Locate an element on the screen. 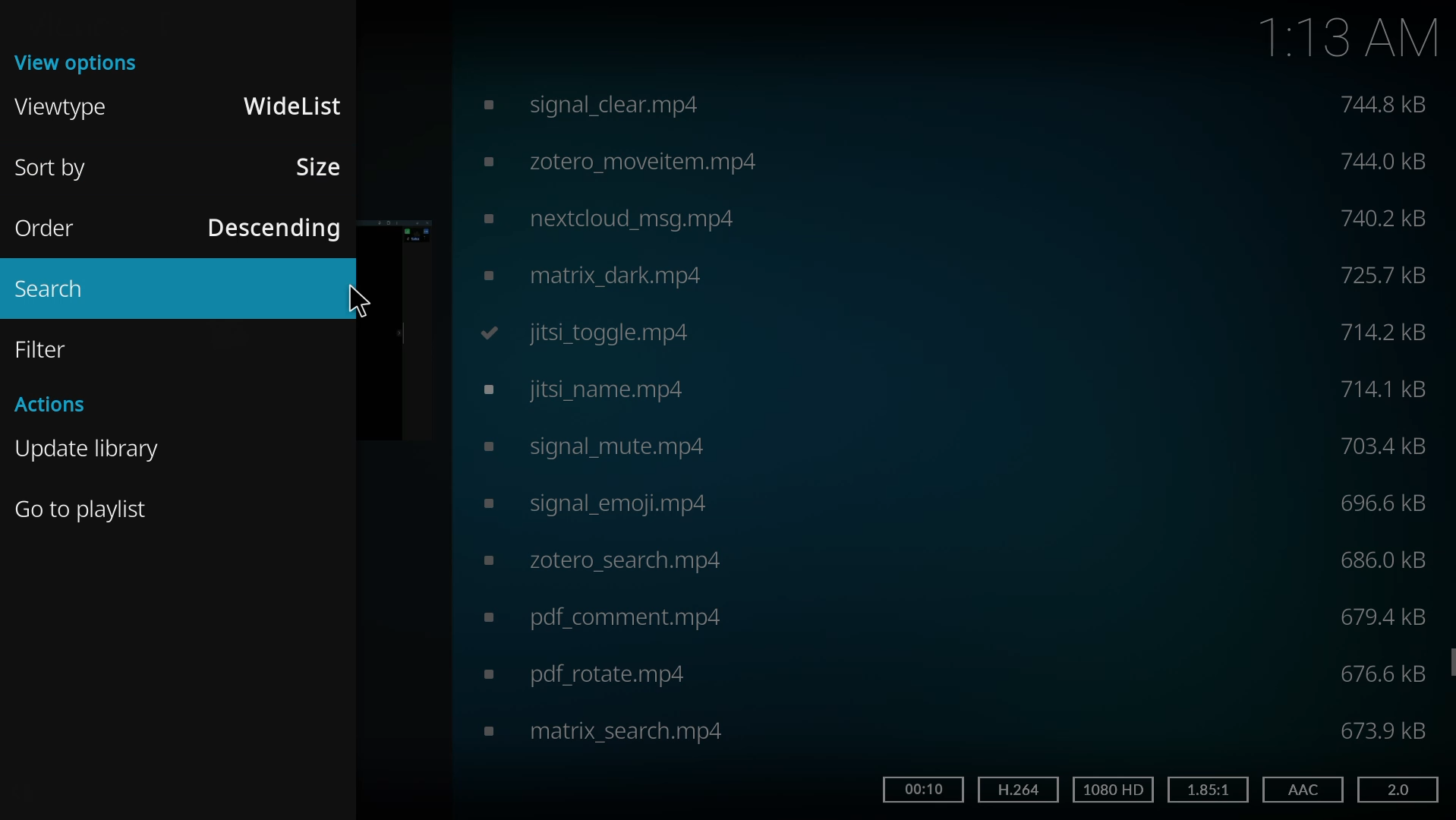  size is located at coordinates (1387, 557).